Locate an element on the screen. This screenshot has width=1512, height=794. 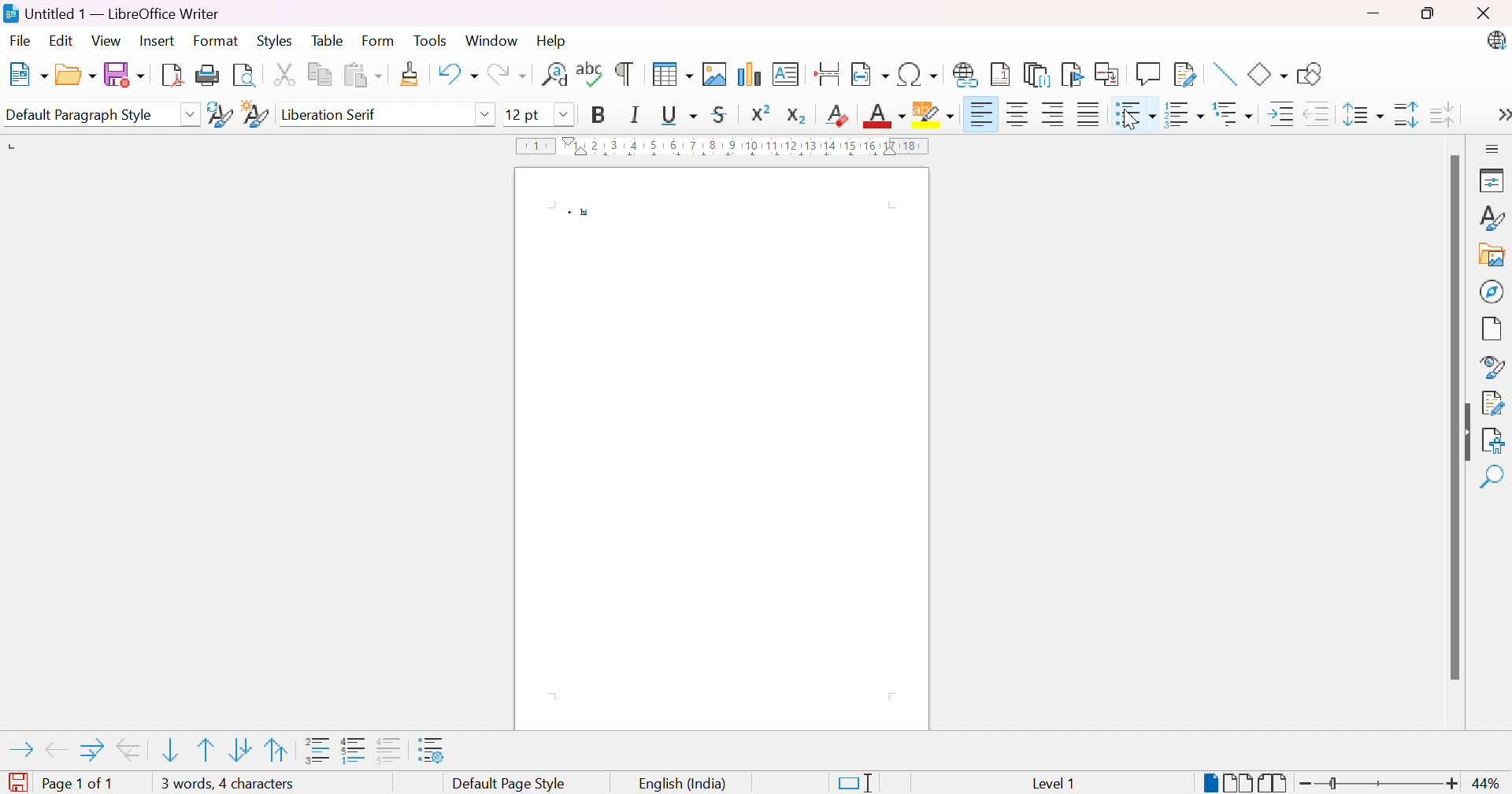
Bullets and numbering is located at coordinates (433, 750).